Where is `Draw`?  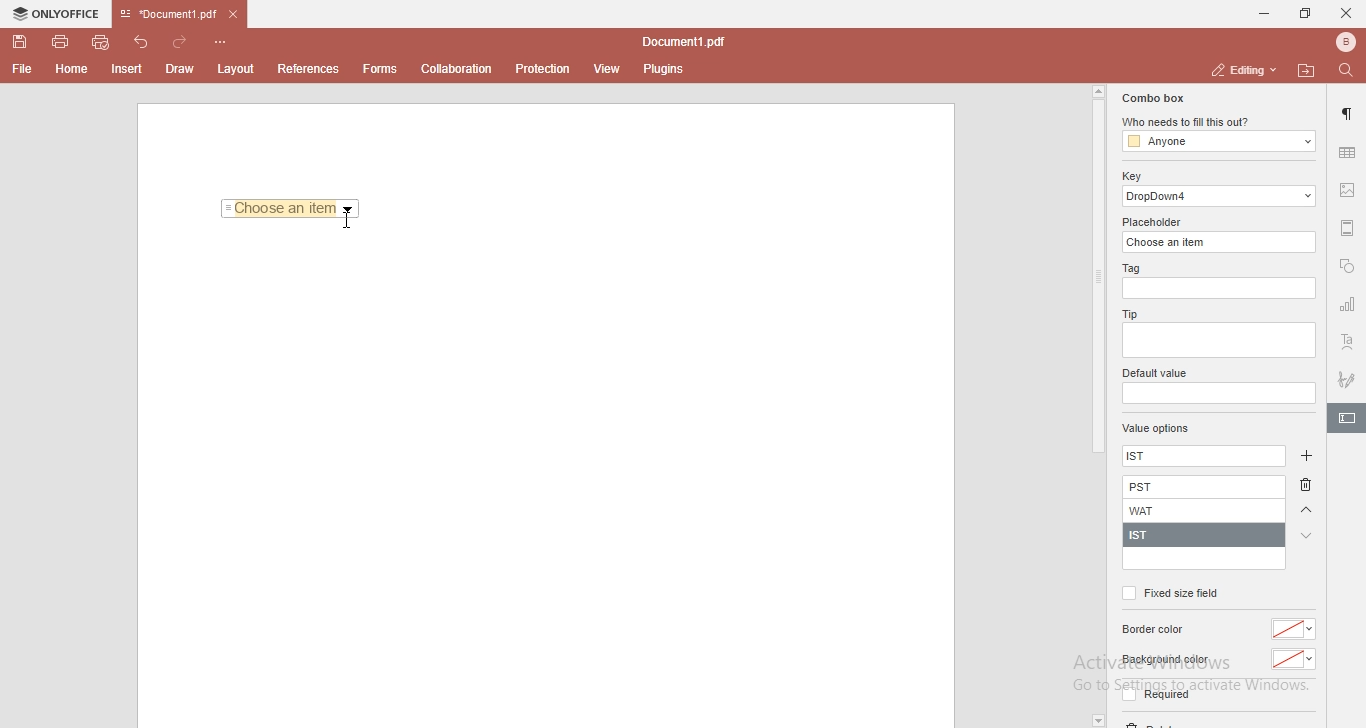 Draw is located at coordinates (184, 68).